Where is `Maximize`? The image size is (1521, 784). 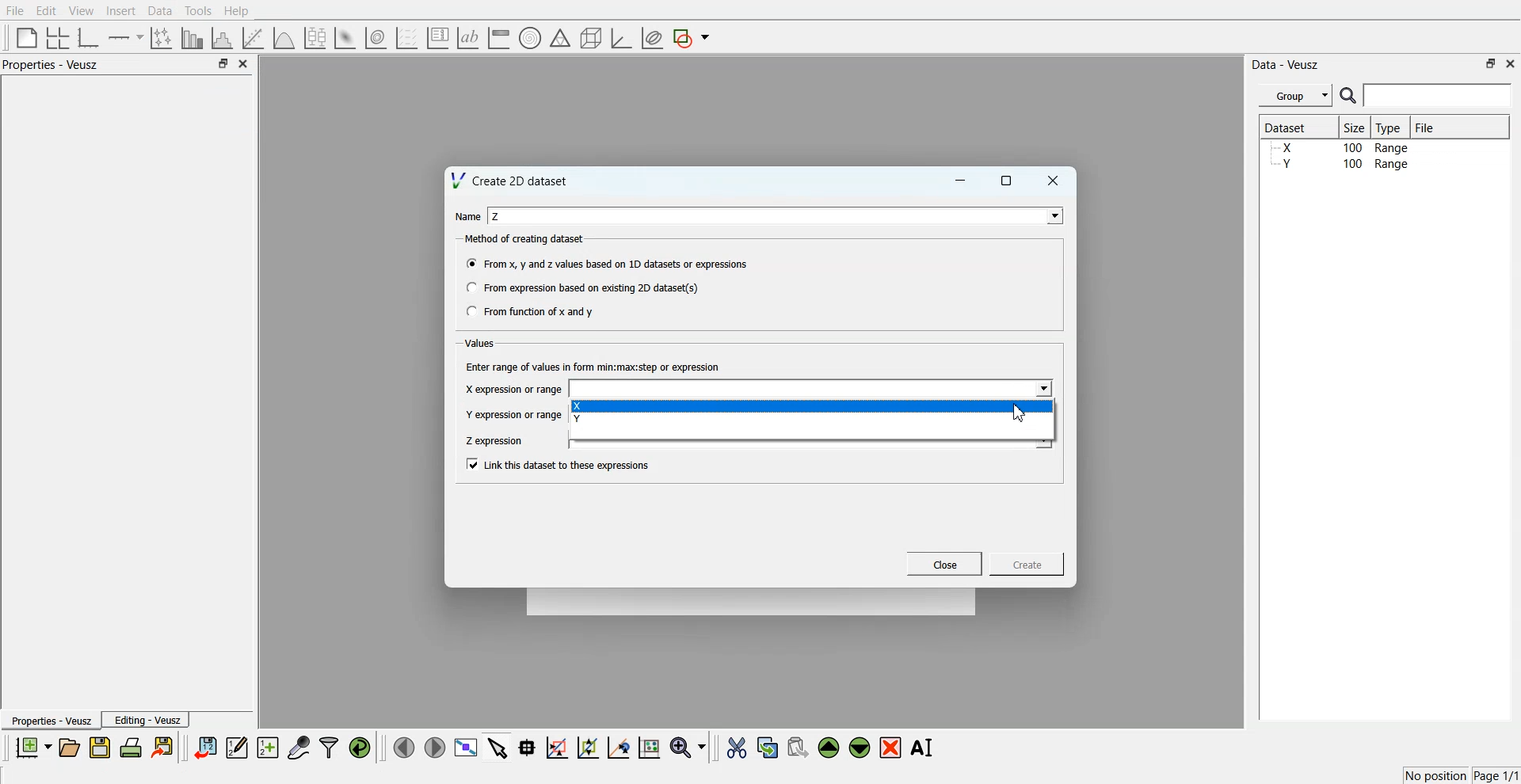 Maximize is located at coordinates (1007, 181).